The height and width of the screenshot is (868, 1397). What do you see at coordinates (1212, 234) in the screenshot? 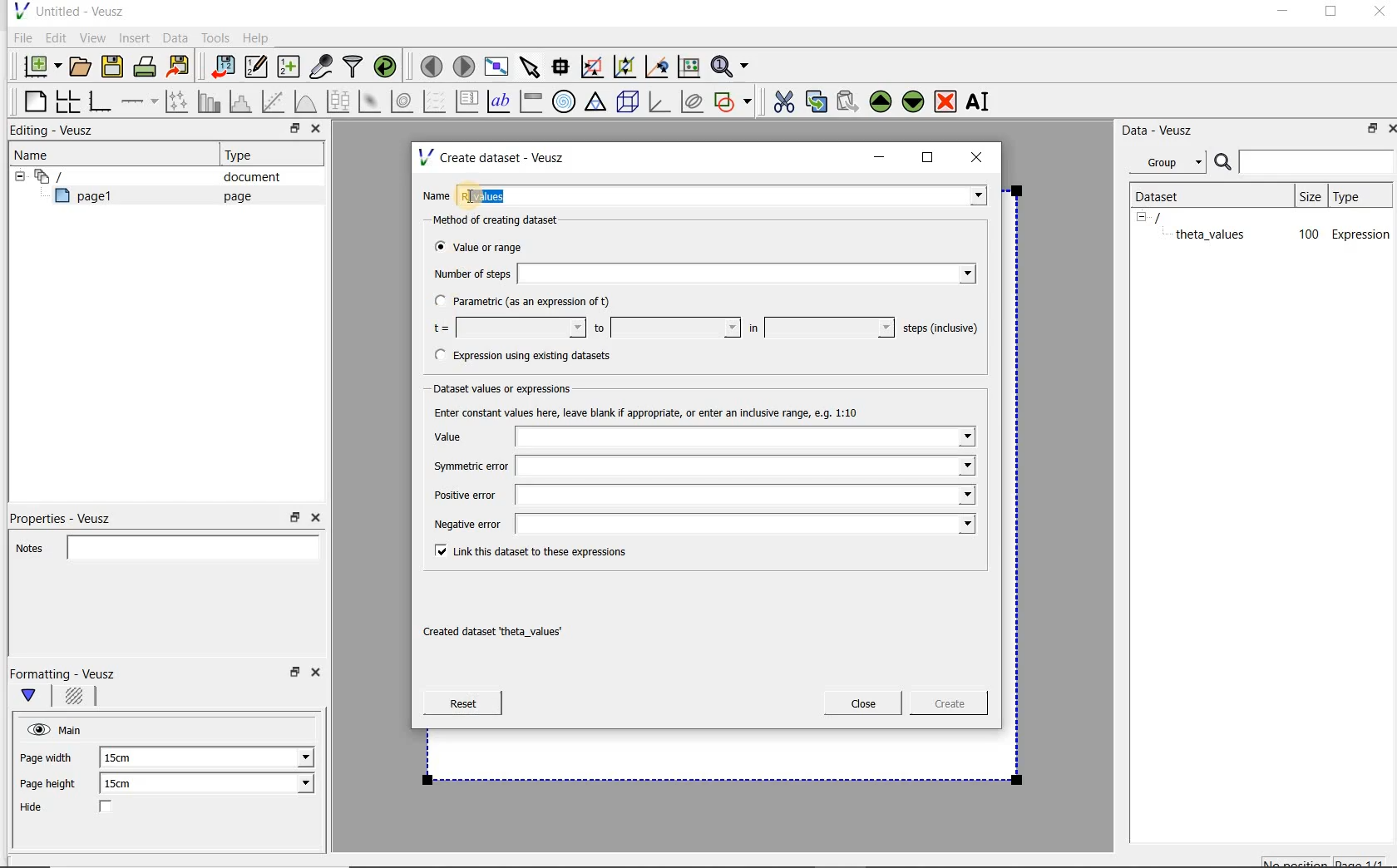
I see `theta_values` at bounding box center [1212, 234].